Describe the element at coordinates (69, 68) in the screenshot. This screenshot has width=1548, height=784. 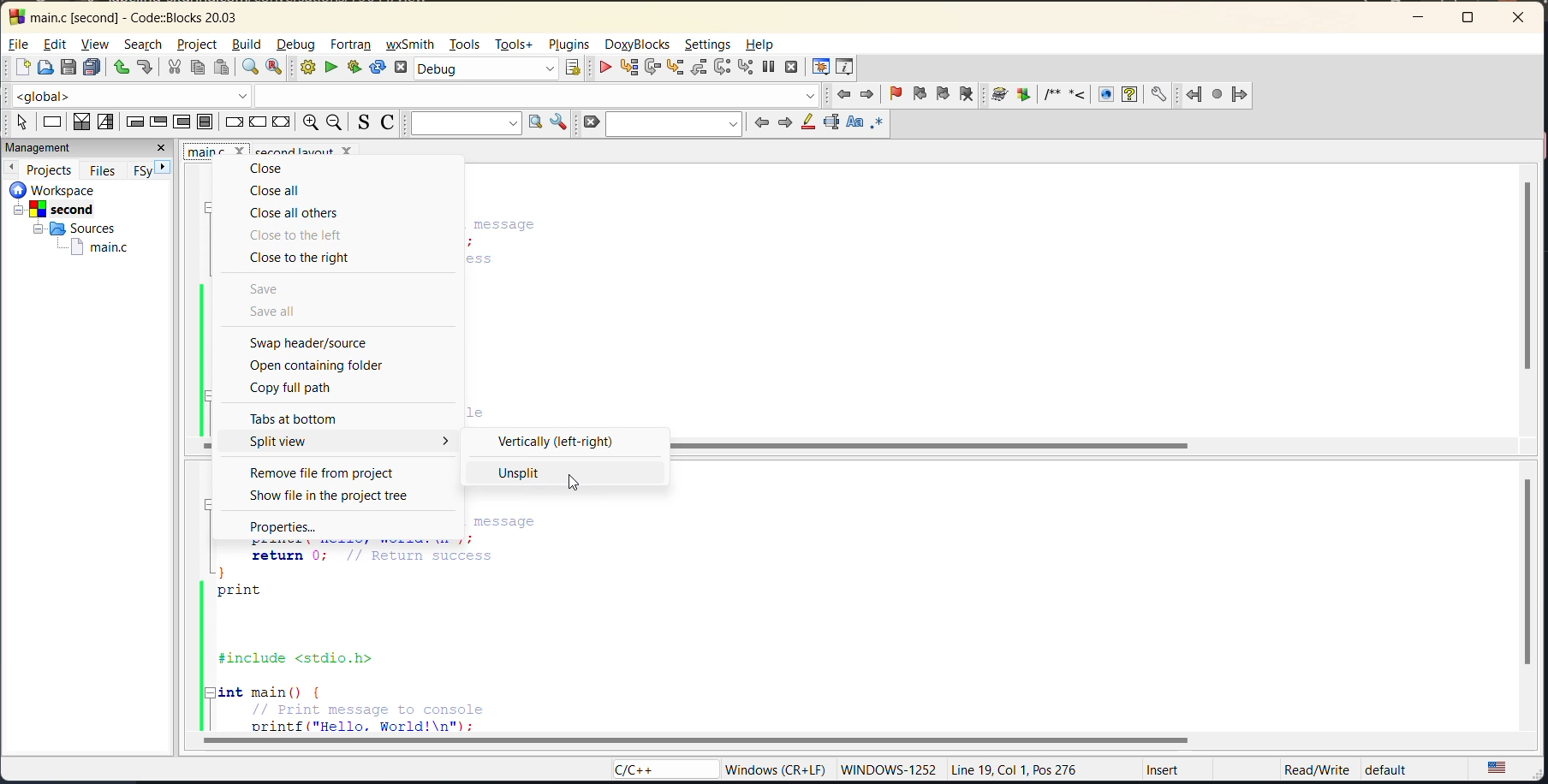
I see `save` at that location.